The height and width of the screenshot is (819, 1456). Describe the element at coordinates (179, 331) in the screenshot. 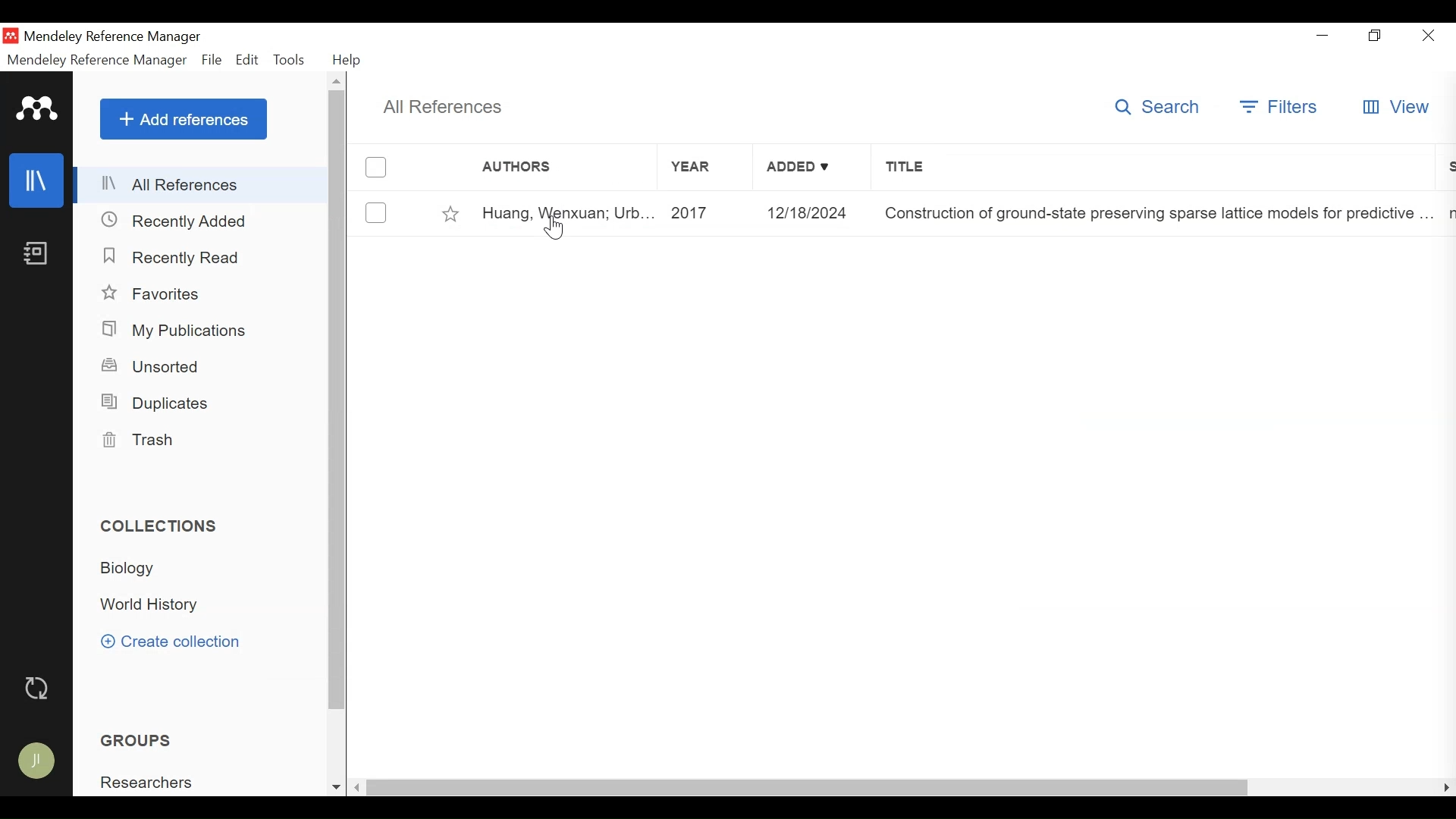

I see `My Publications` at that location.